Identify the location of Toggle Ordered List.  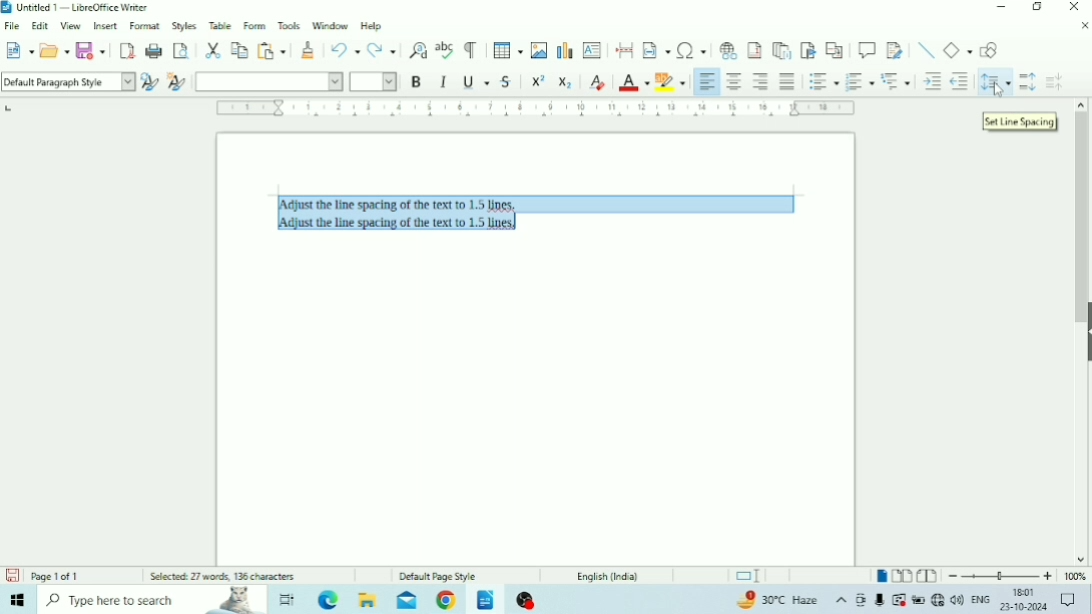
(859, 80).